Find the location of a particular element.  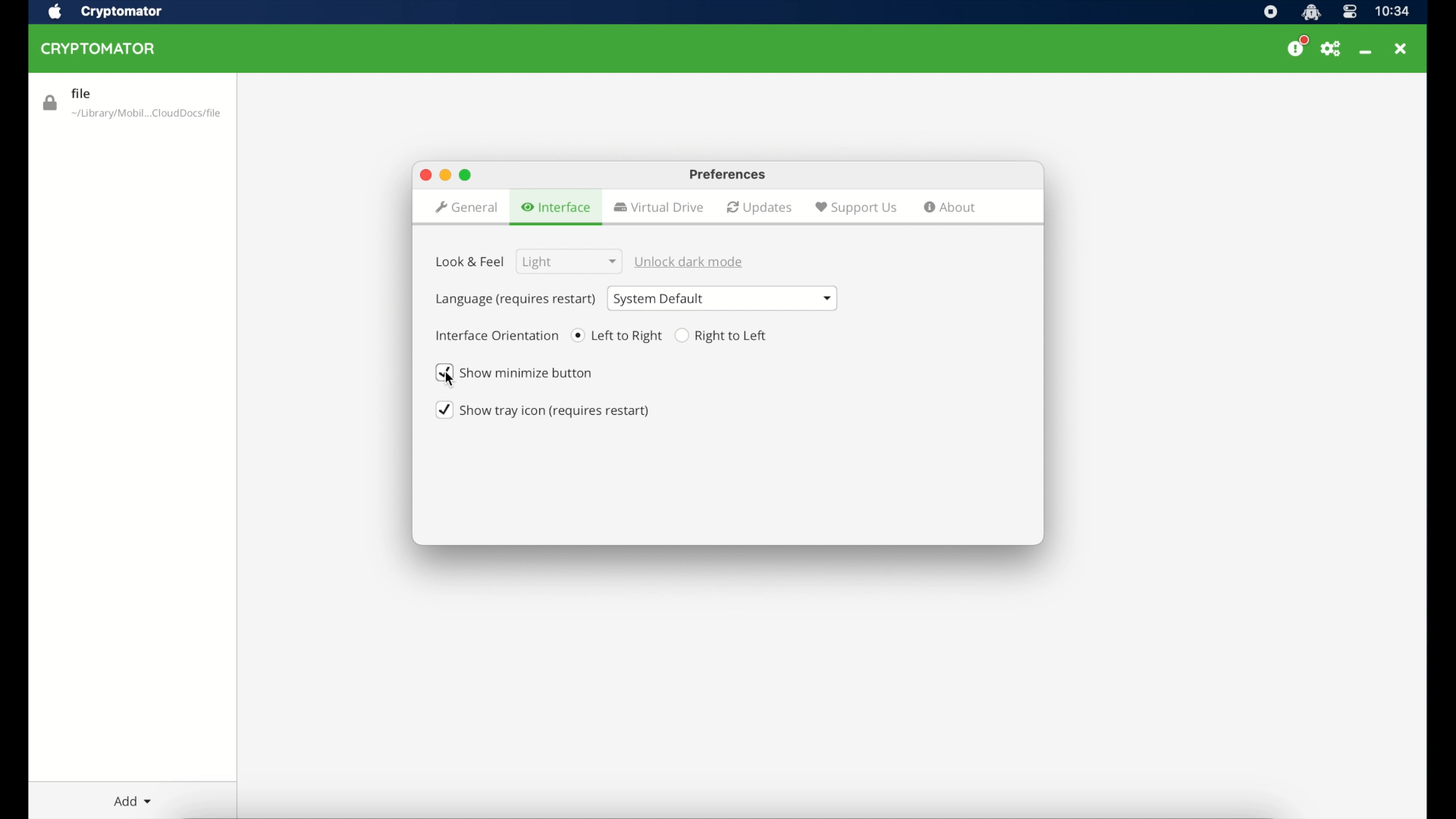

support us is located at coordinates (856, 209).